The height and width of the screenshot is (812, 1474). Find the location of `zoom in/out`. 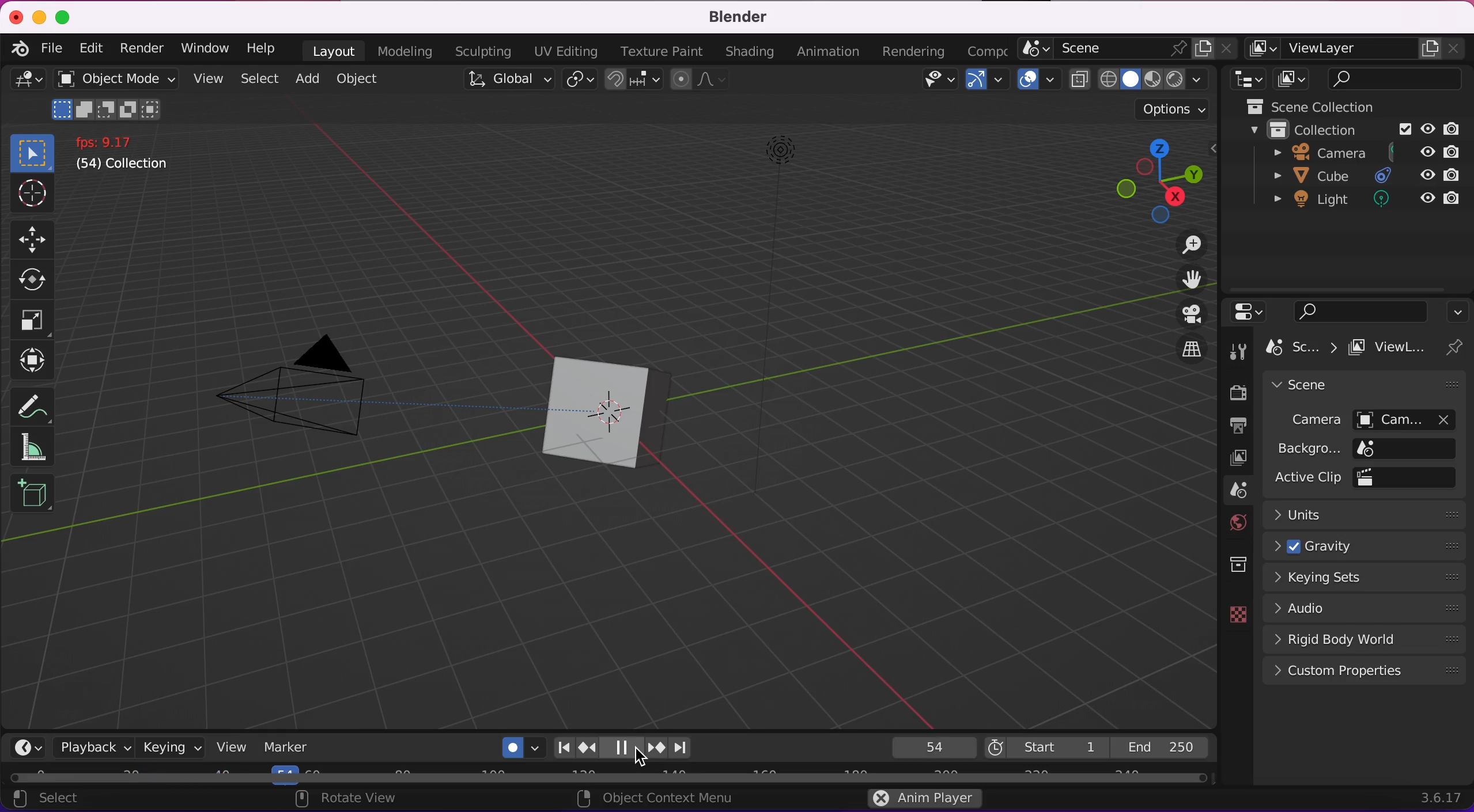

zoom in/out is located at coordinates (1179, 246).